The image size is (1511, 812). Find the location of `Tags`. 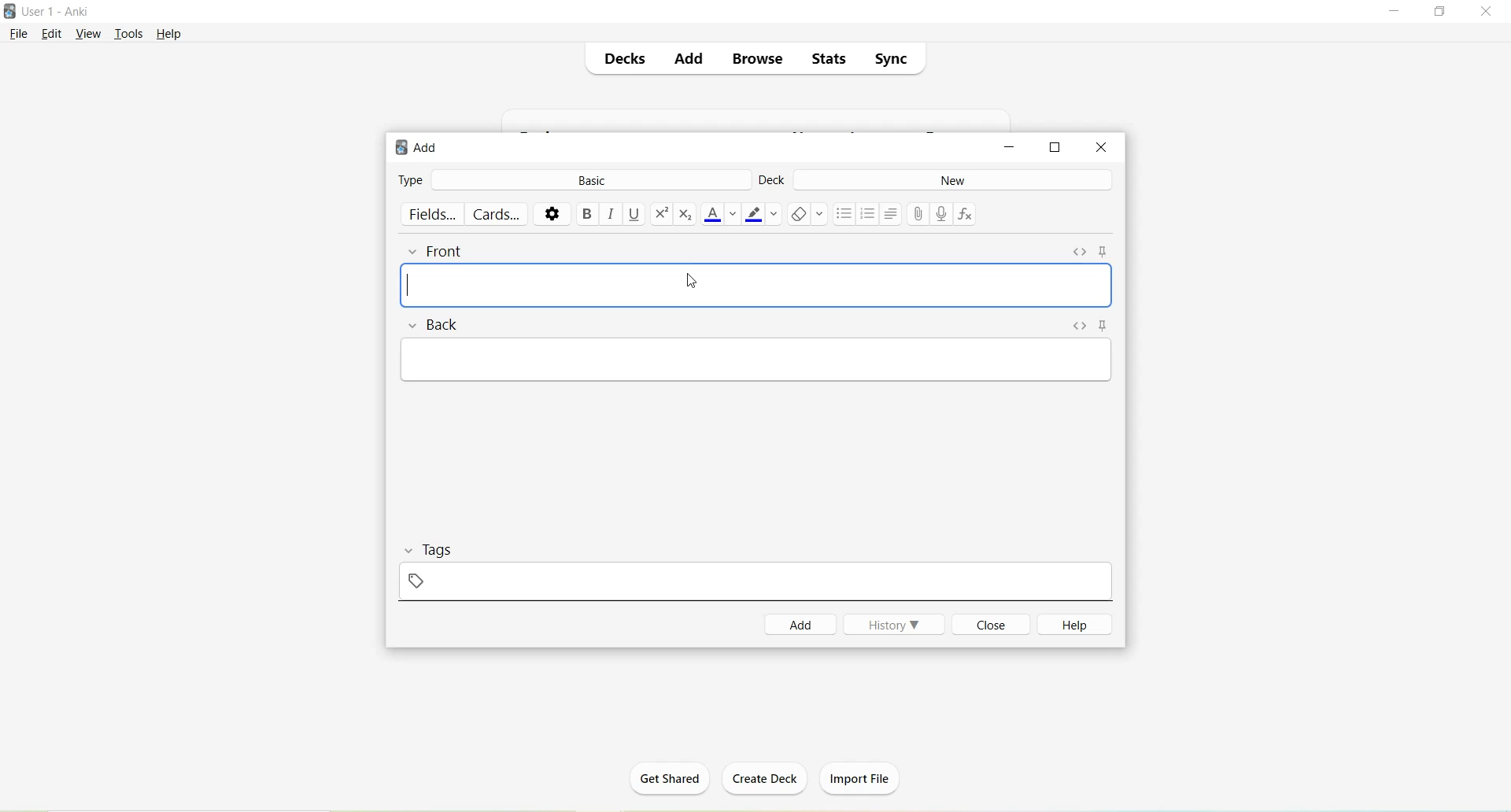

Tags is located at coordinates (447, 549).